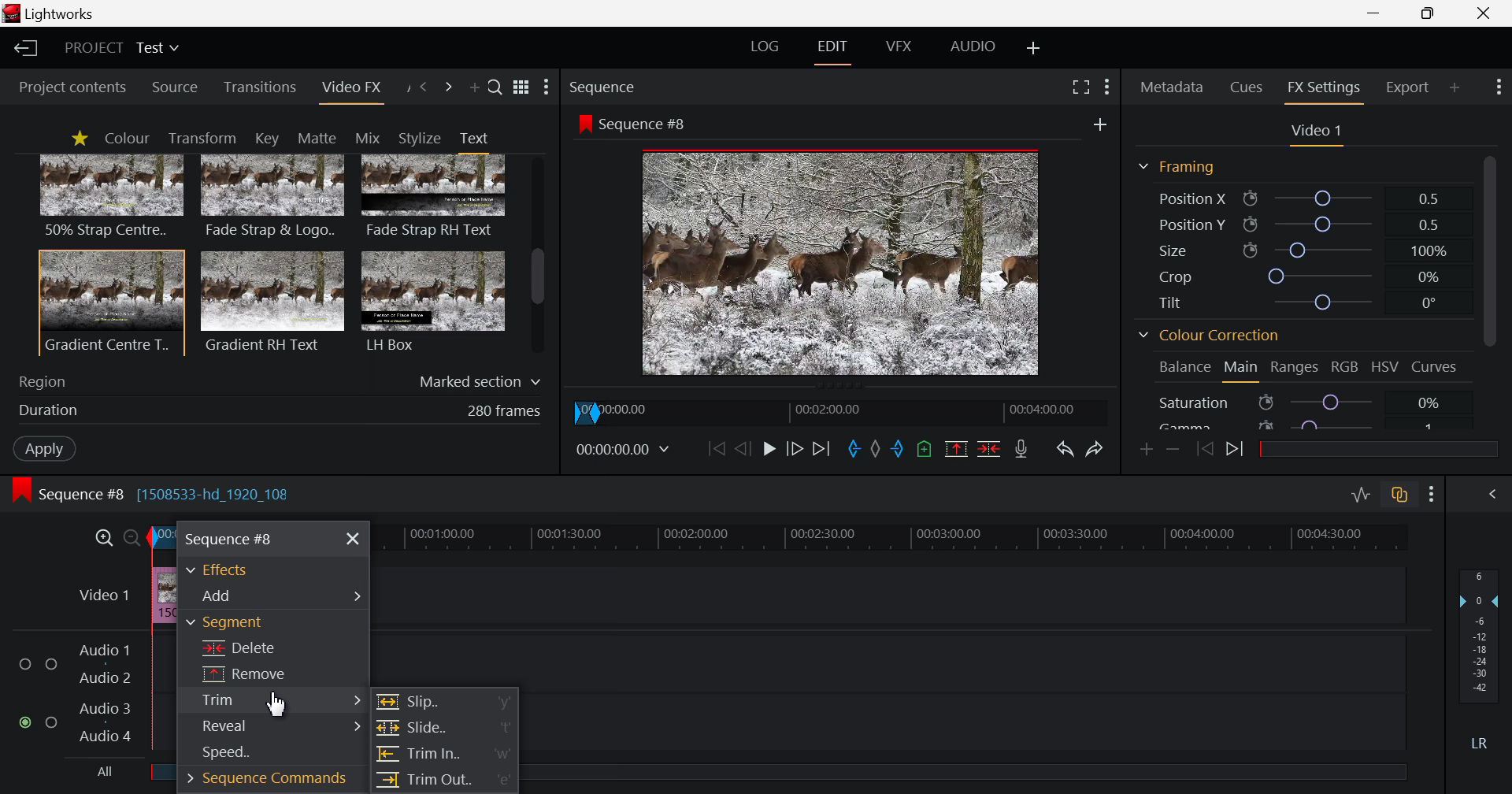  What do you see at coordinates (1214, 338) in the screenshot?
I see `Colour Correction` at bounding box center [1214, 338].